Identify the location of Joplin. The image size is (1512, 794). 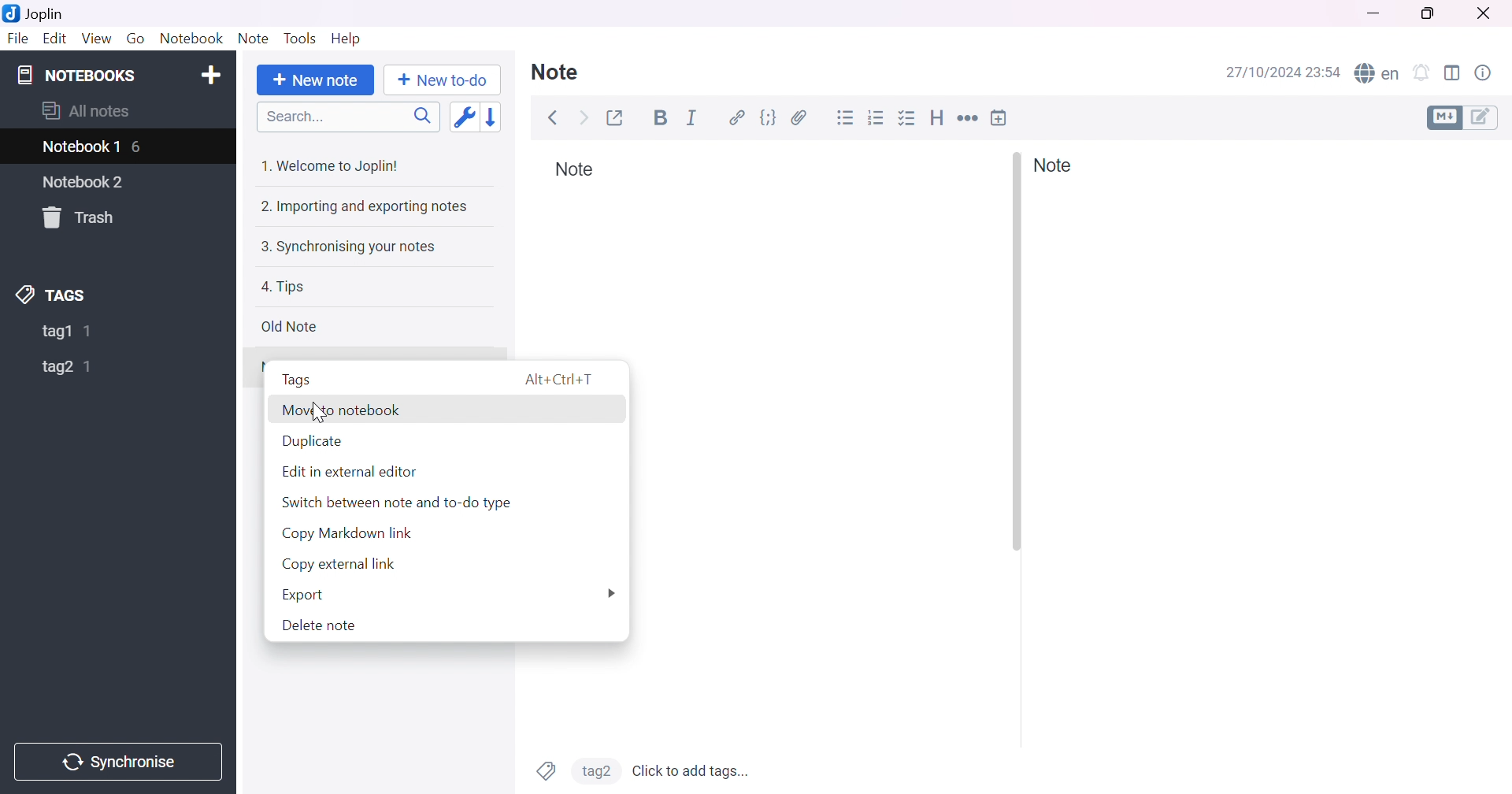
(36, 13).